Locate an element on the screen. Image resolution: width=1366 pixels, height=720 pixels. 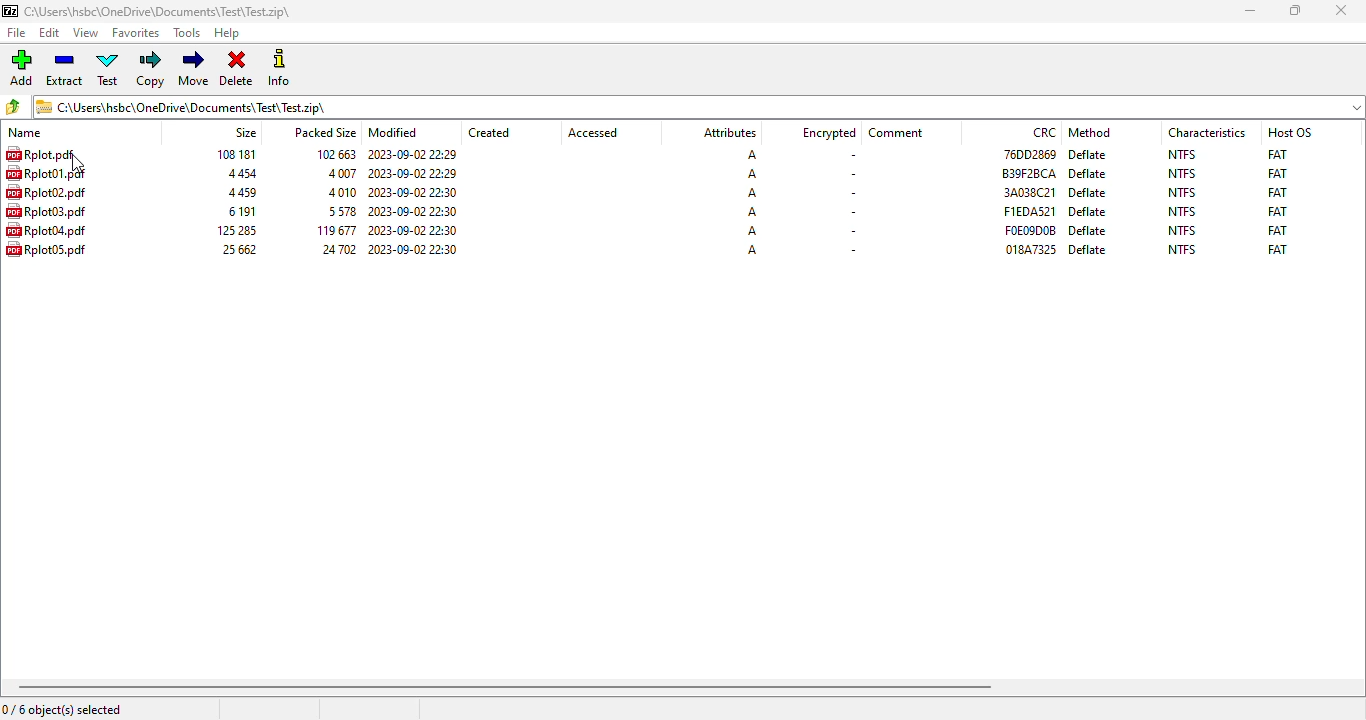
deflate is located at coordinates (1089, 154).